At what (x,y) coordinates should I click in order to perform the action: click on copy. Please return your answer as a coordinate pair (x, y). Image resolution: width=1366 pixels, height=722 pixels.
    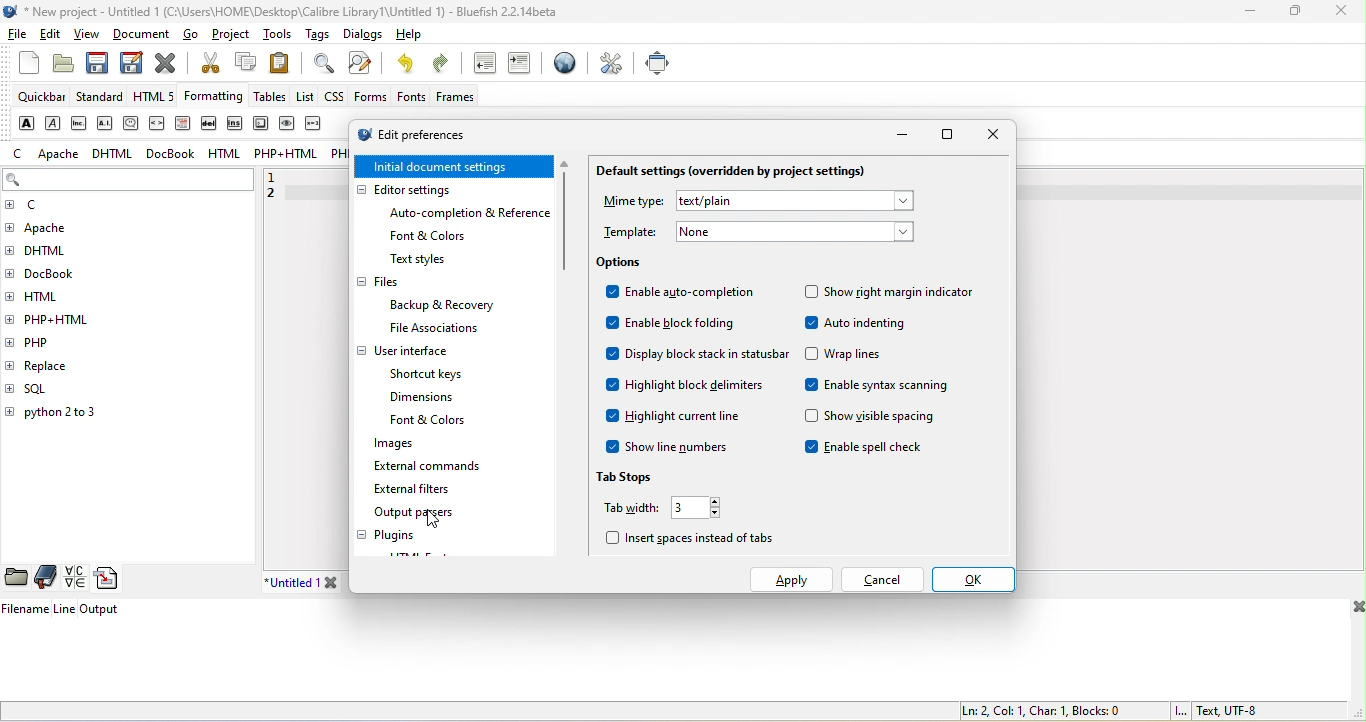
    Looking at the image, I should click on (245, 64).